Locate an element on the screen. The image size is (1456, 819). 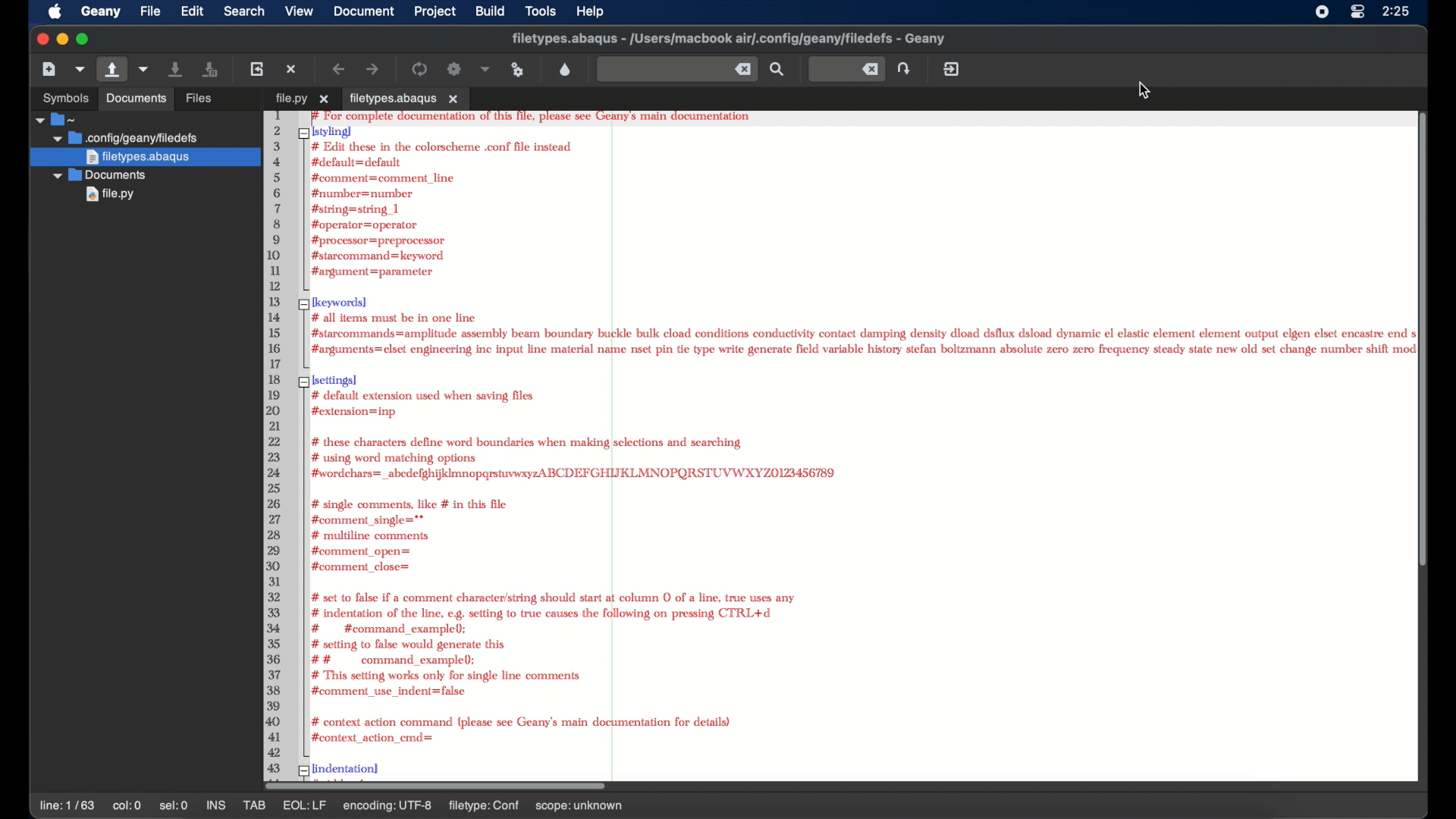
color looser dialog is located at coordinates (566, 68).